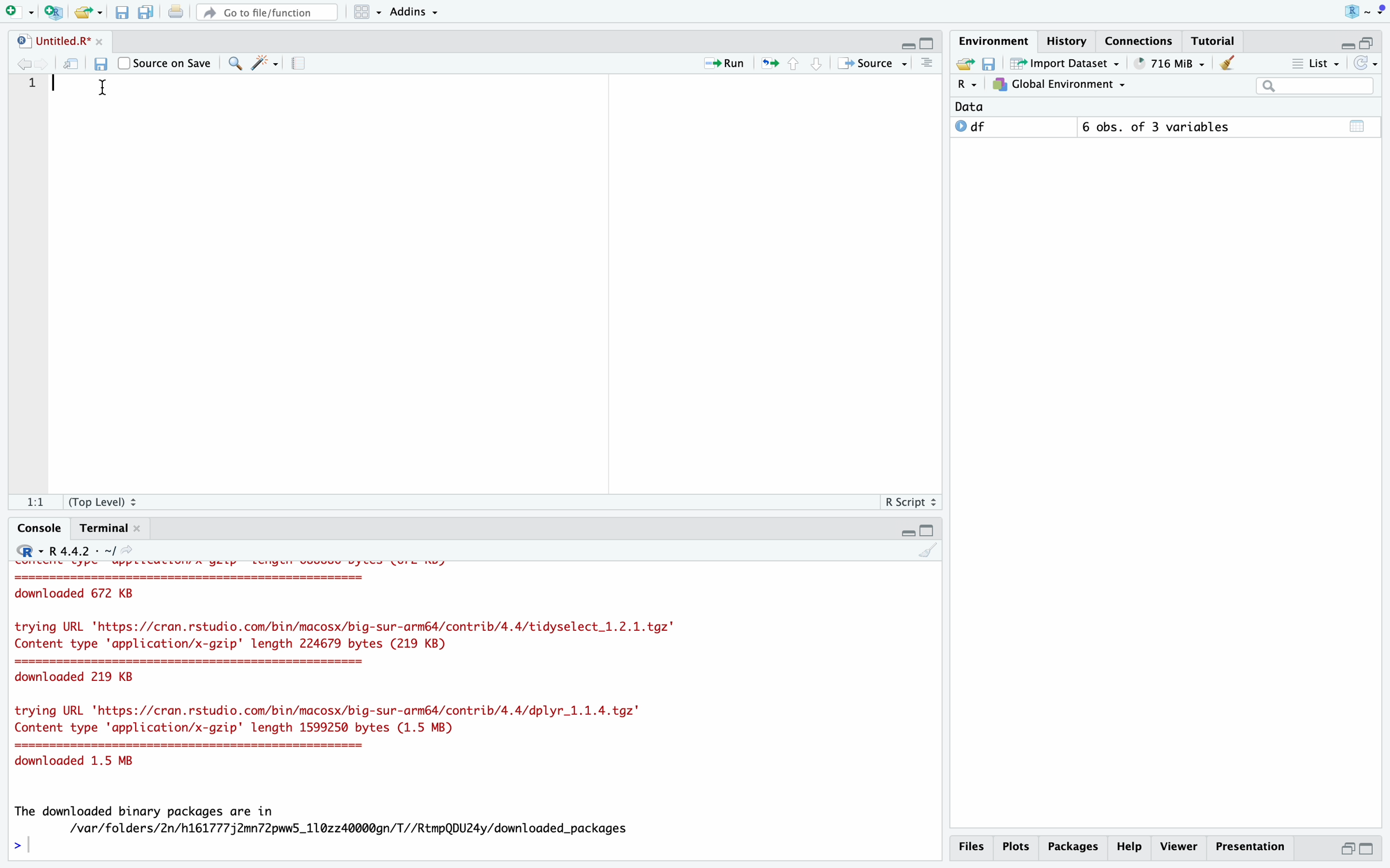 The height and width of the screenshot is (868, 1390). What do you see at coordinates (265, 63) in the screenshot?
I see `Code Tools` at bounding box center [265, 63].